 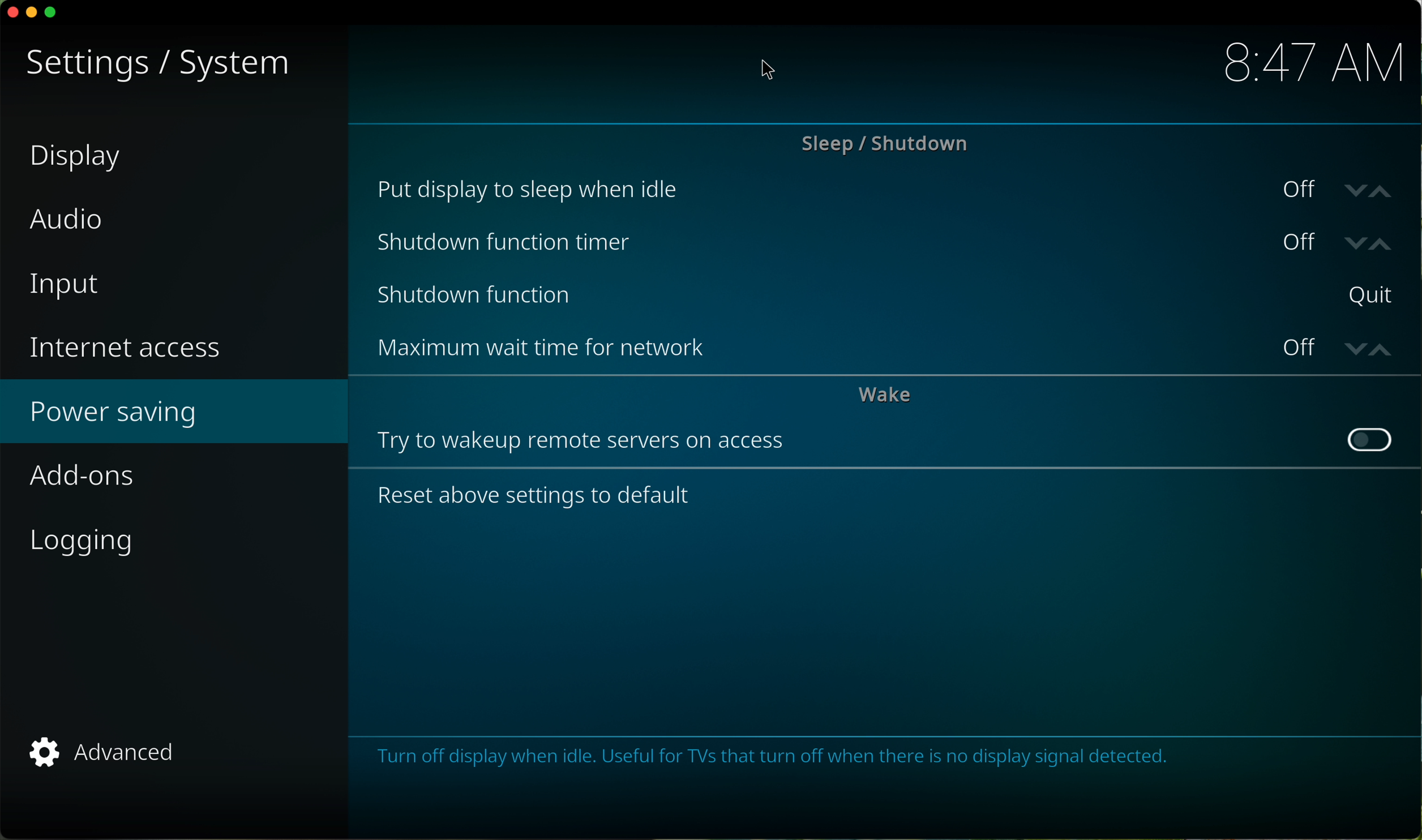 I want to click on power saving, so click(x=115, y=413).